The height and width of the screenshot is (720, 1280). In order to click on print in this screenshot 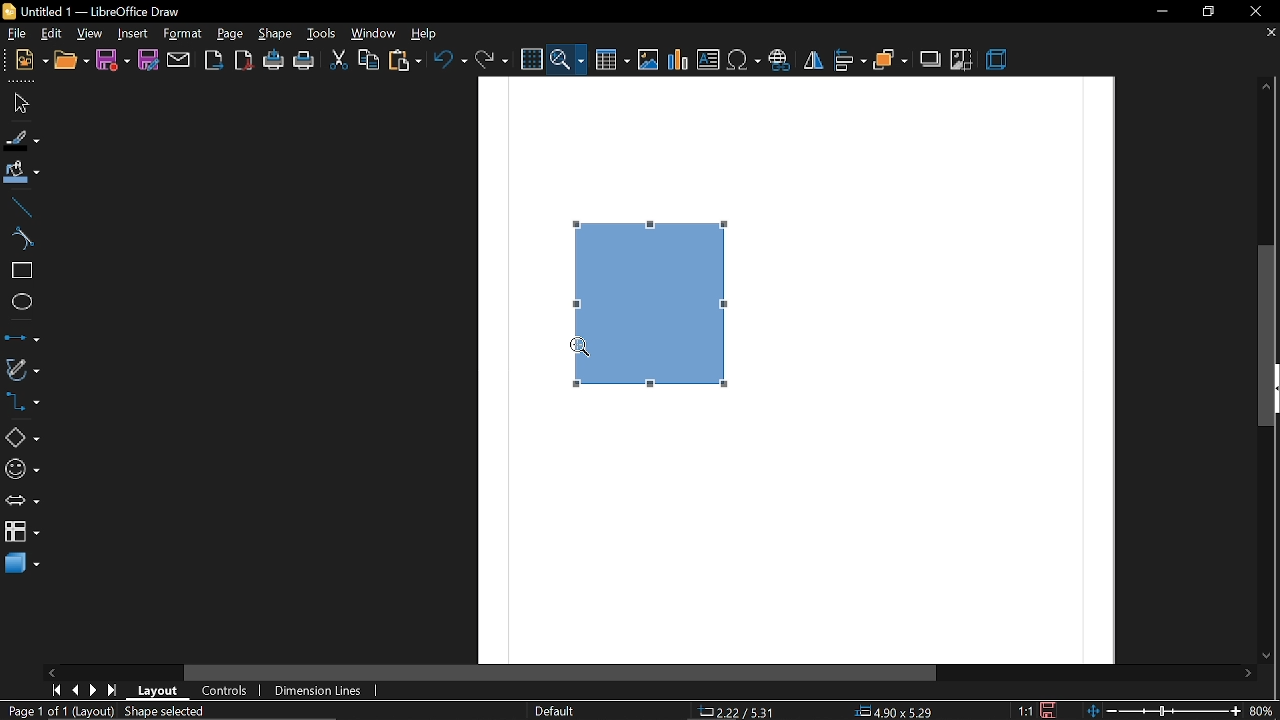, I will do `click(304, 61)`.